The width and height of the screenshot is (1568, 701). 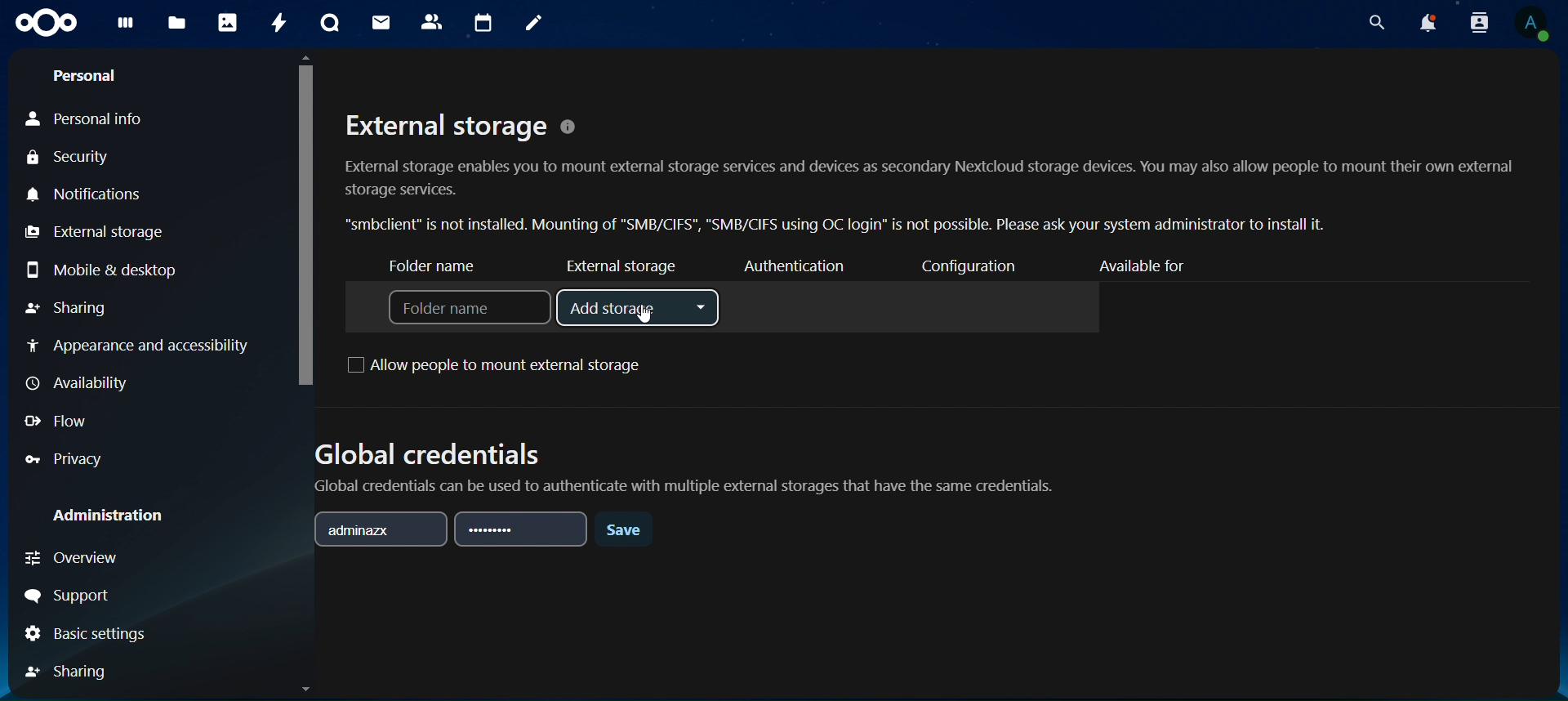 What do you see at coordinates (623, 534) in the screenshot?
I see `save` at bounding box center [623, 534].